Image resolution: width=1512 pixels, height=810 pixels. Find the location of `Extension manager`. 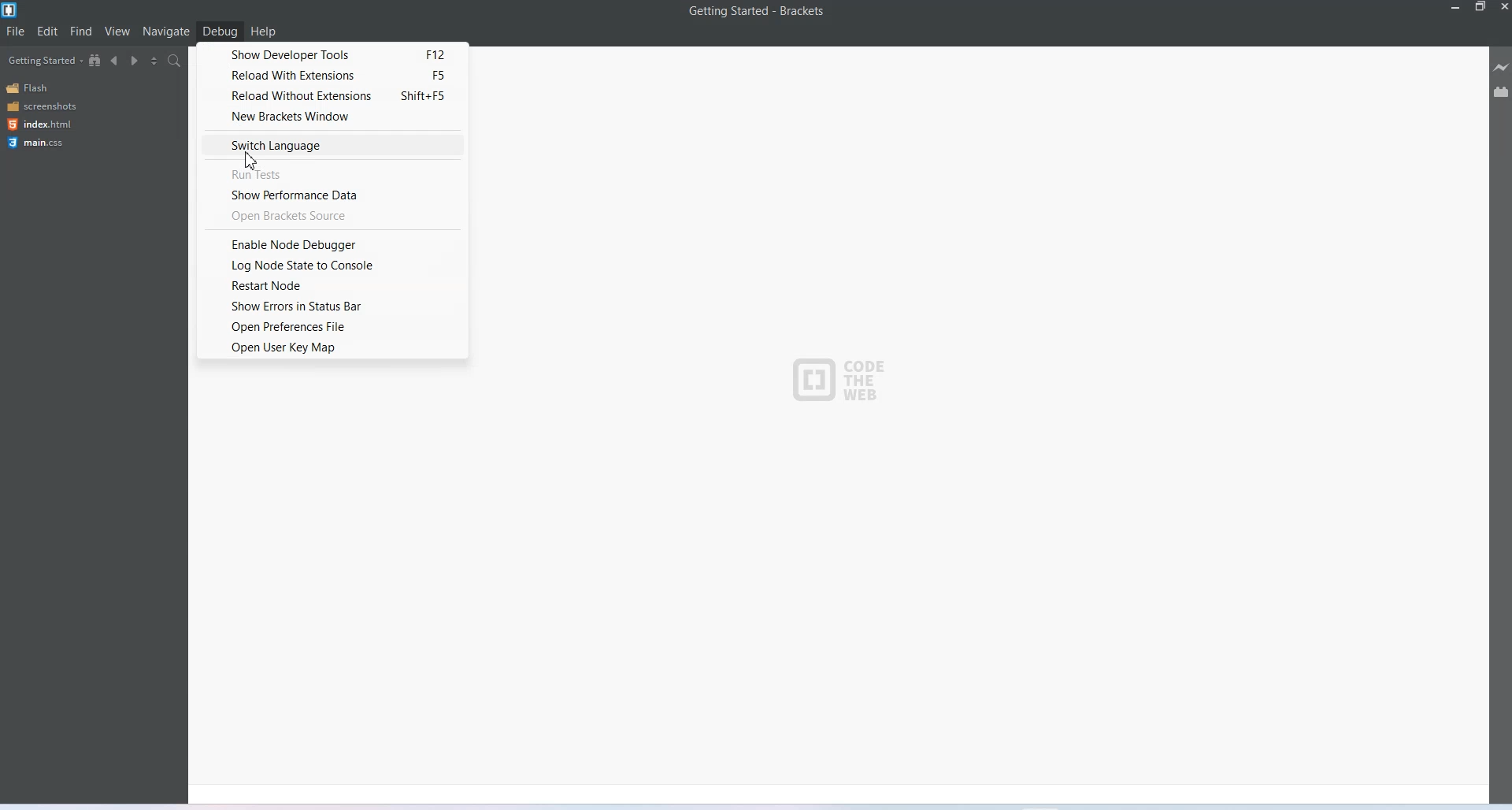

Extension manager is located at coordinates (1501, 91).